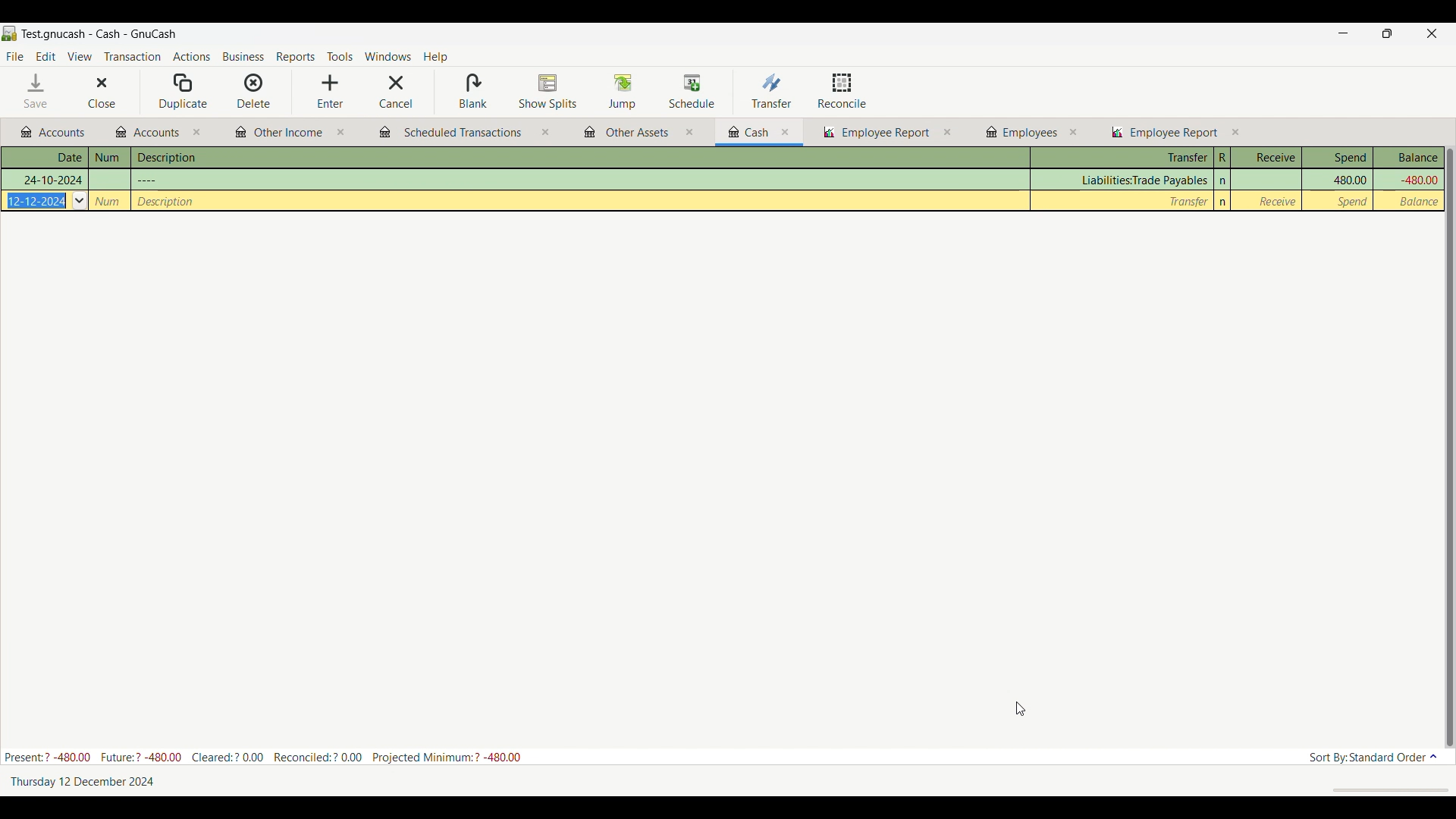  What do you see at coordinates (773, 91) in the screenshot?
I see `Transfer` at bounding box center [773, 91].